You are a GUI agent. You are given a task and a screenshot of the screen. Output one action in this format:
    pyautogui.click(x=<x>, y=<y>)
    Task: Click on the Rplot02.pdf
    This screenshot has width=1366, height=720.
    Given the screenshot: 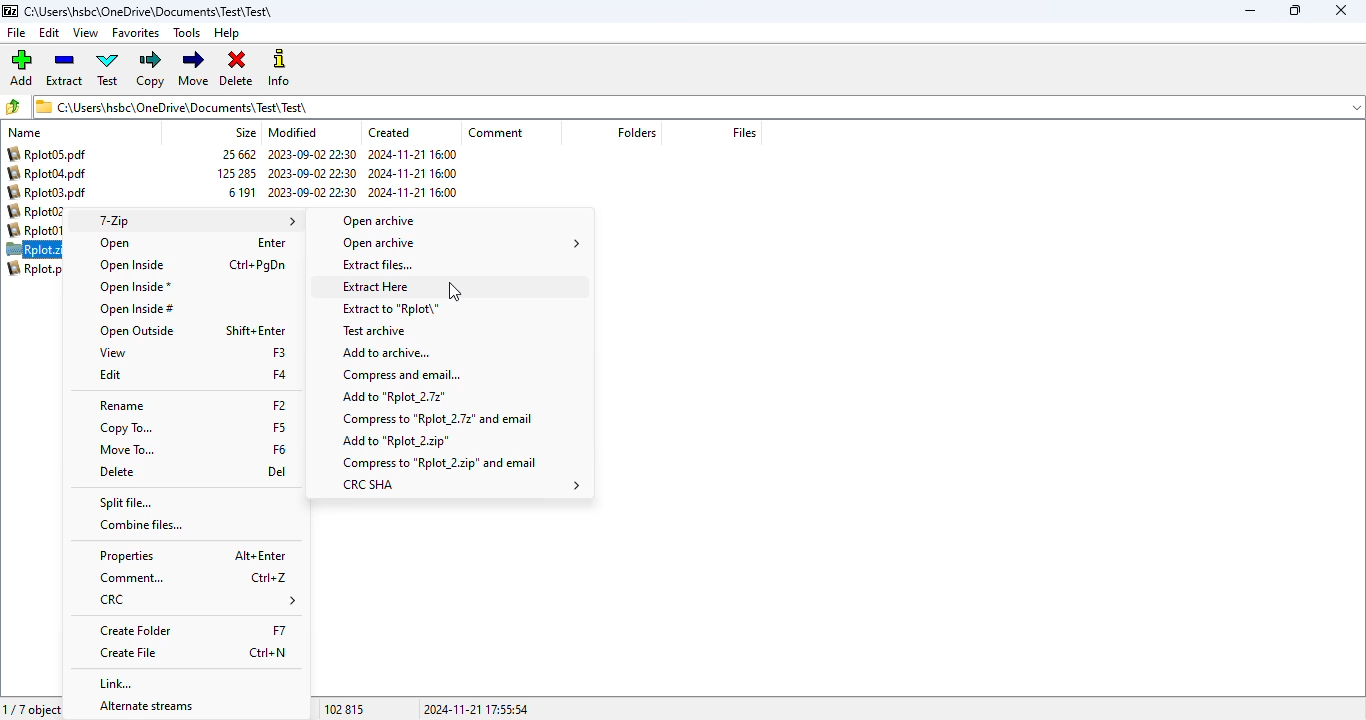 What is the action you would take?
    pyautogui.click(x=43, y=212)
    